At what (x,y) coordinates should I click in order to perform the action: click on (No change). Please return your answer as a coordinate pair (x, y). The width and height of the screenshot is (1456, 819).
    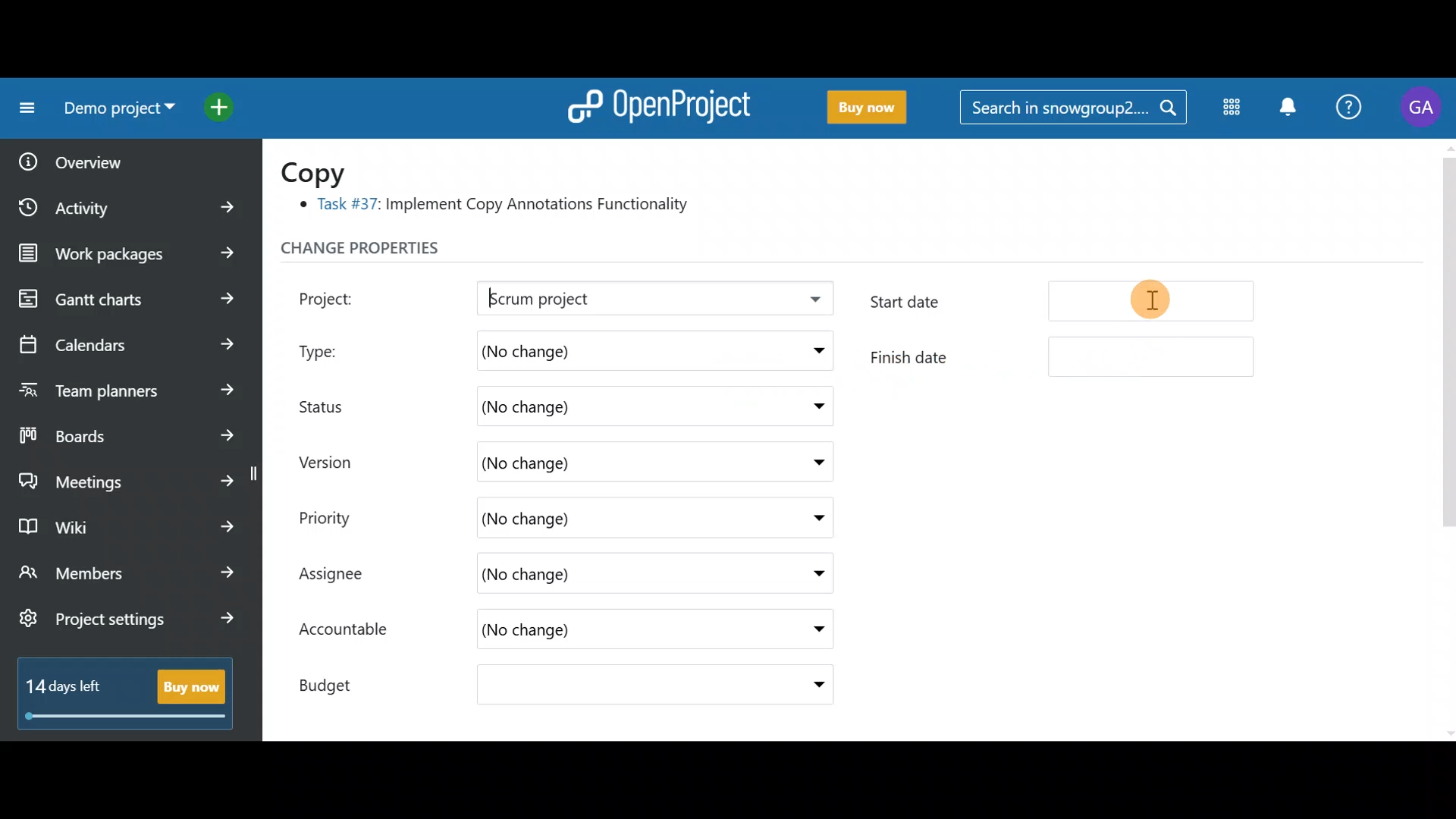
    Looking at the image, I should click on (599, 576).